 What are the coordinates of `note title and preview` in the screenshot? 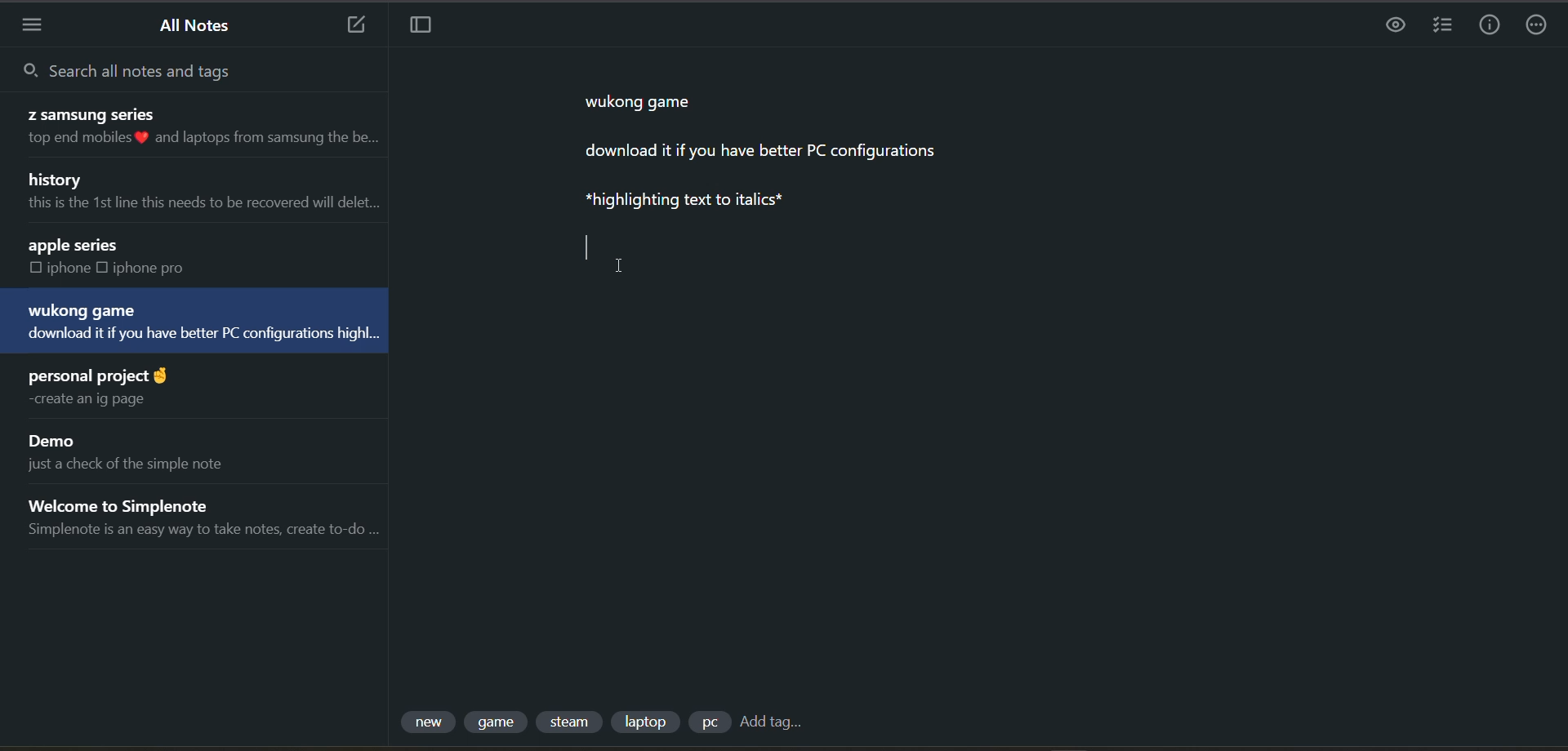 It's located at (204, 520).